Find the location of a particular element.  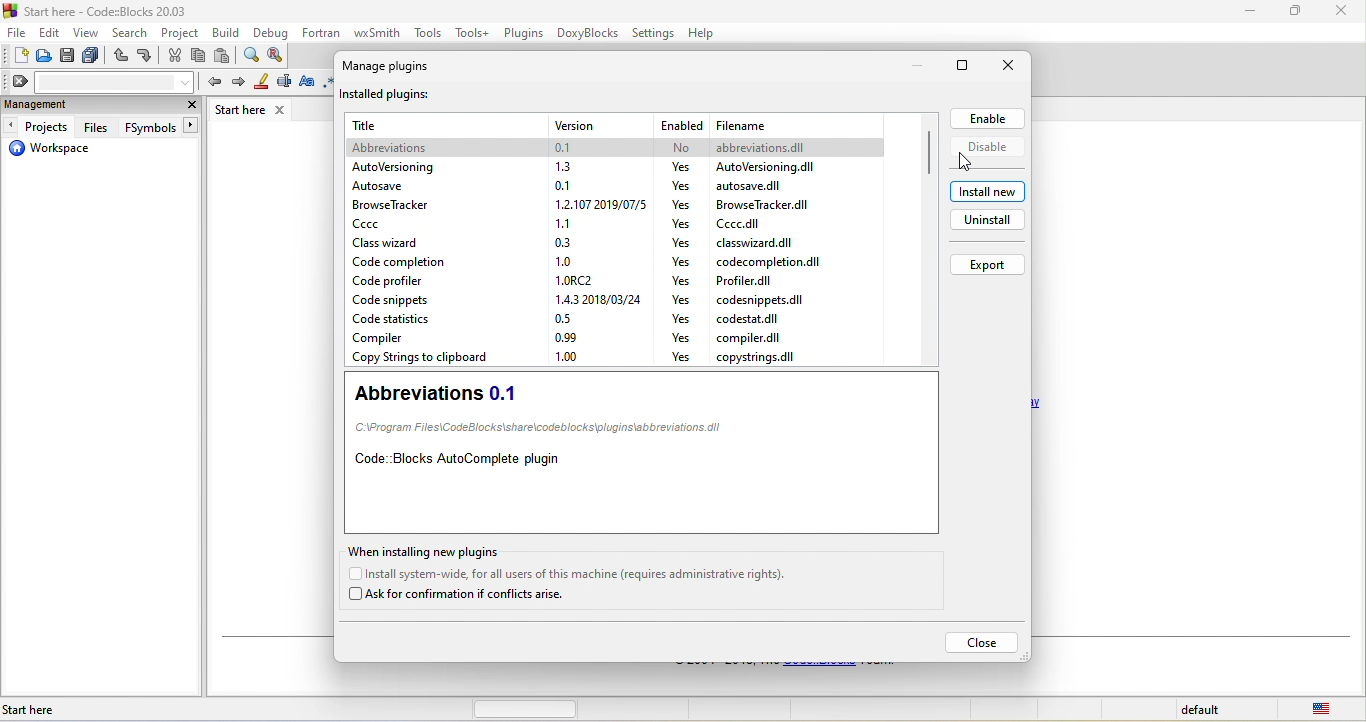

new is located at coordinates (16, 55).